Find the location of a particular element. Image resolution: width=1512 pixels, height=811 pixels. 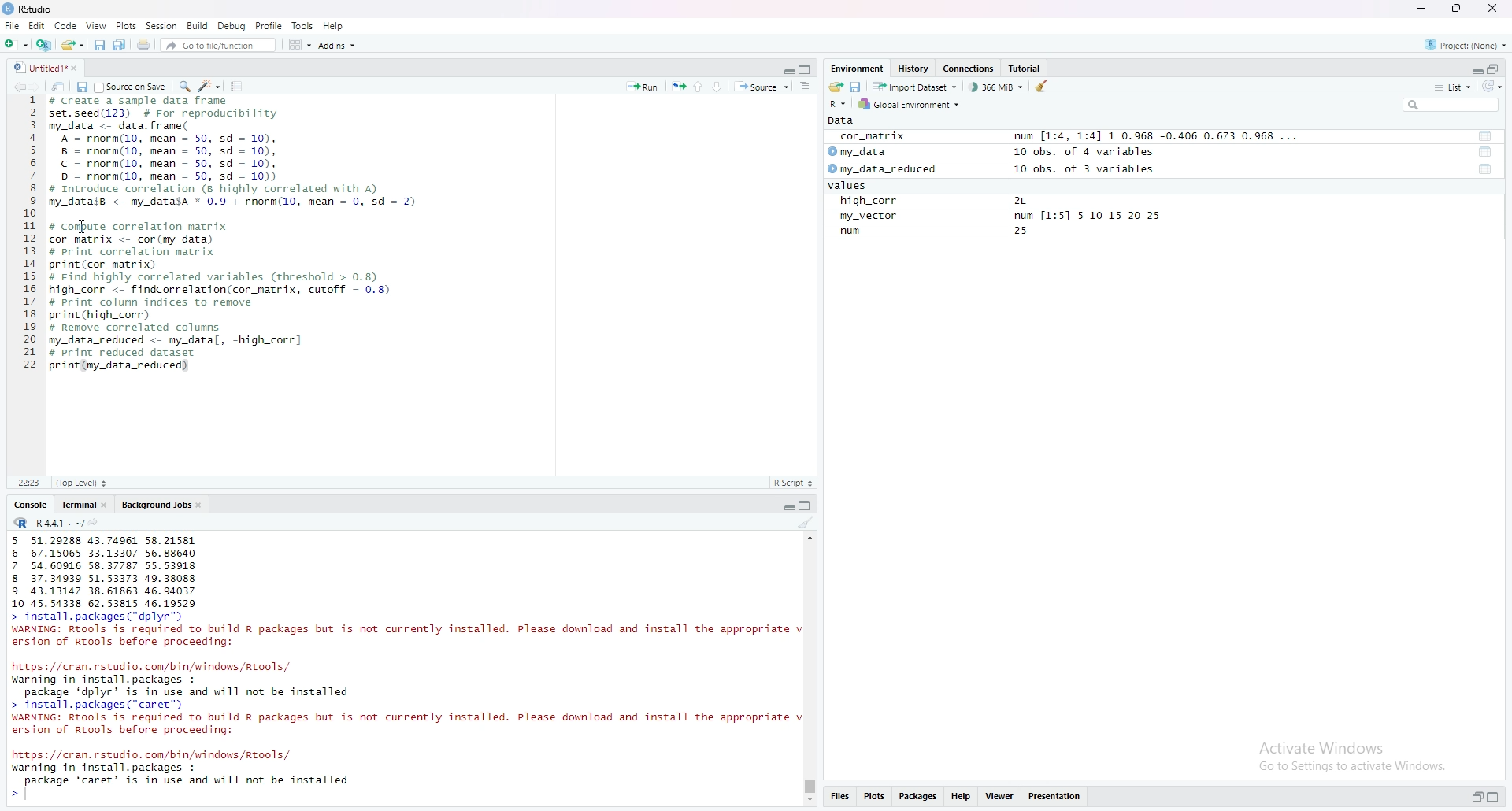

Down  is located at coordinates (717, 87).